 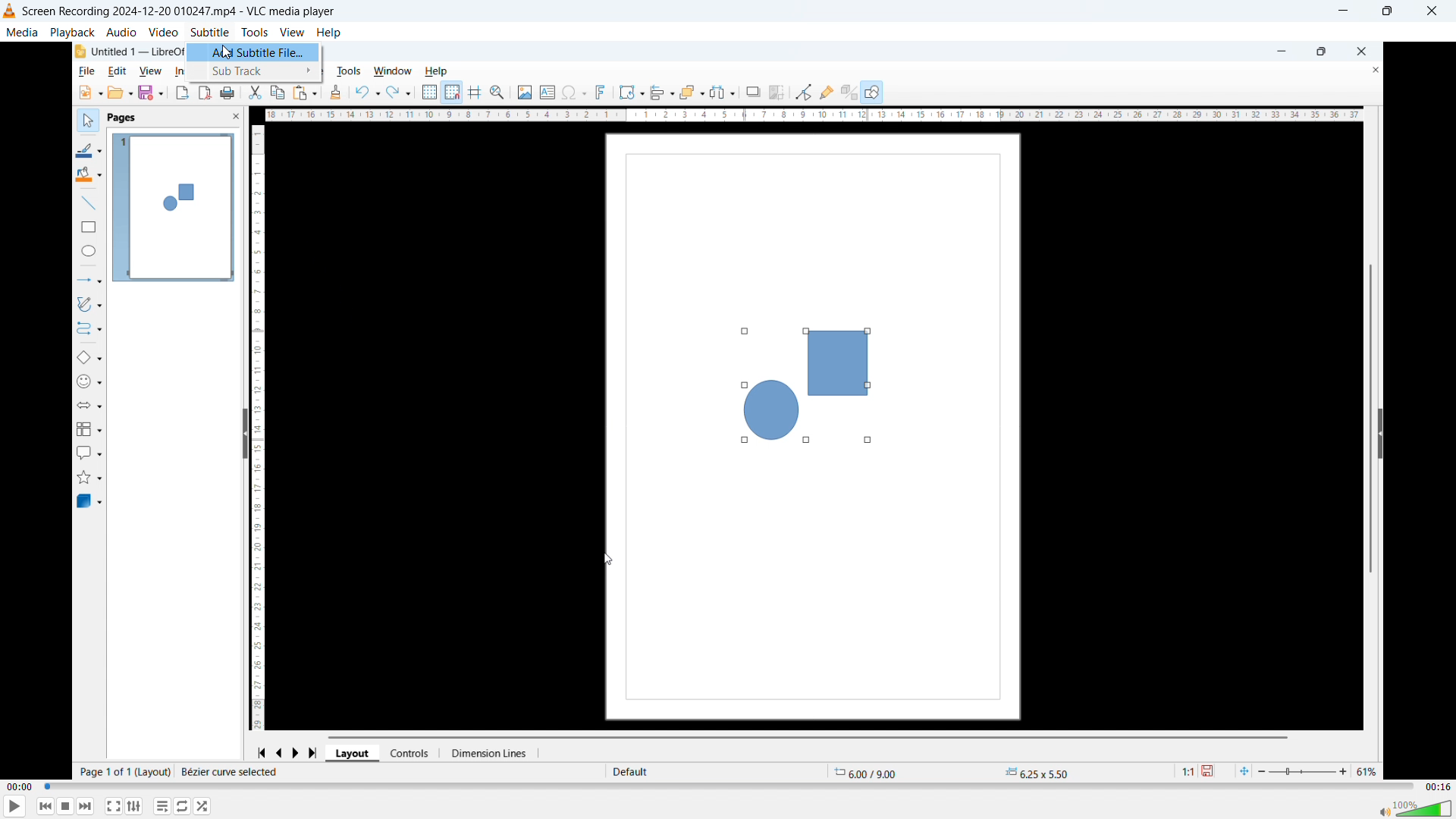 What do you see at coordinates (184, 806) in the screenshot?
I see `Toggle between loop all, loop one and no loop ` at bounding box center [184, 806].